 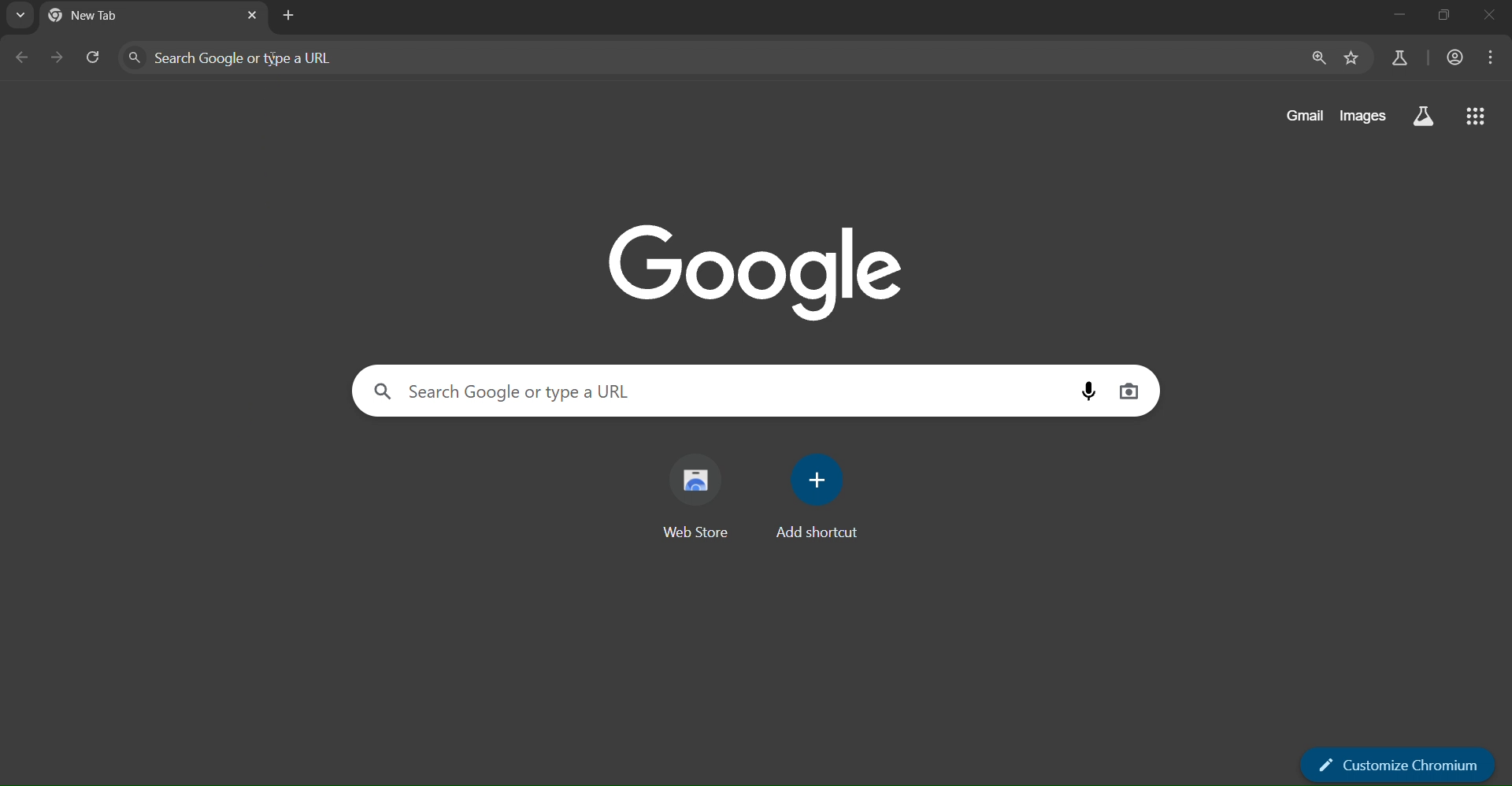 I want to click on google apps, so click(x=1477, y=117).